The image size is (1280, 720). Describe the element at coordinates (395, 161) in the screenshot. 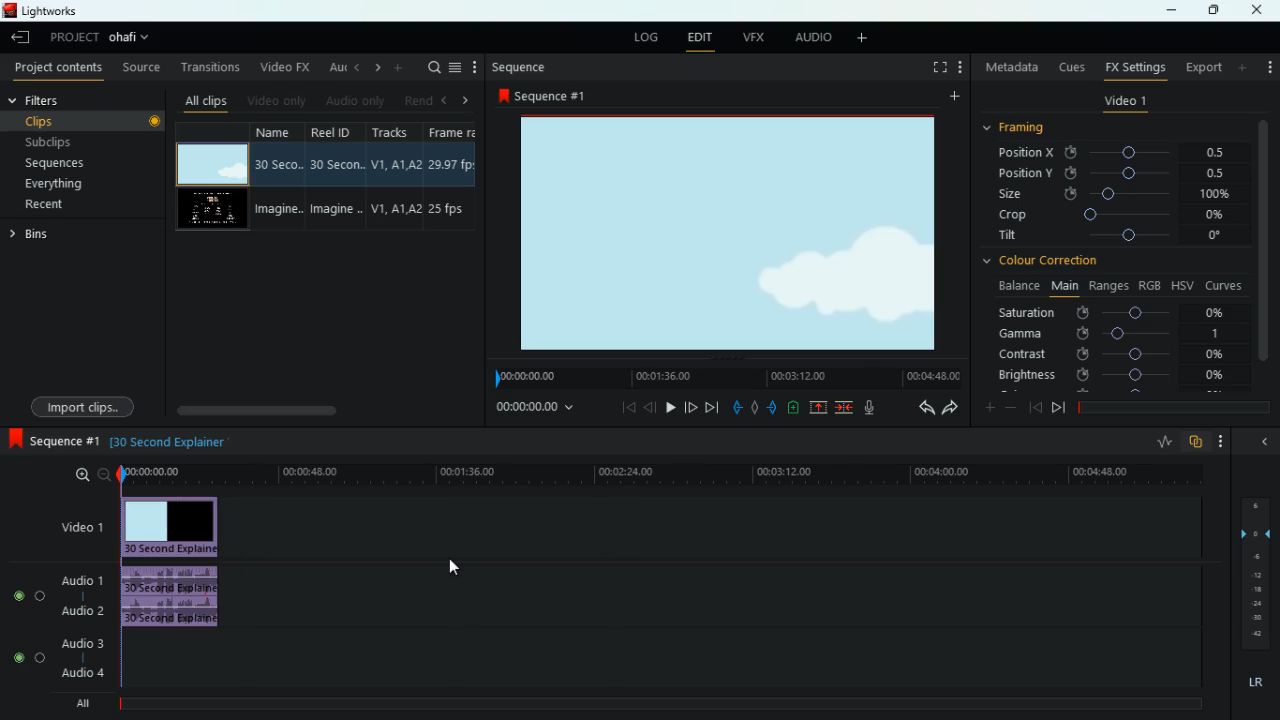

I see `V1, A1, A2` at that location.